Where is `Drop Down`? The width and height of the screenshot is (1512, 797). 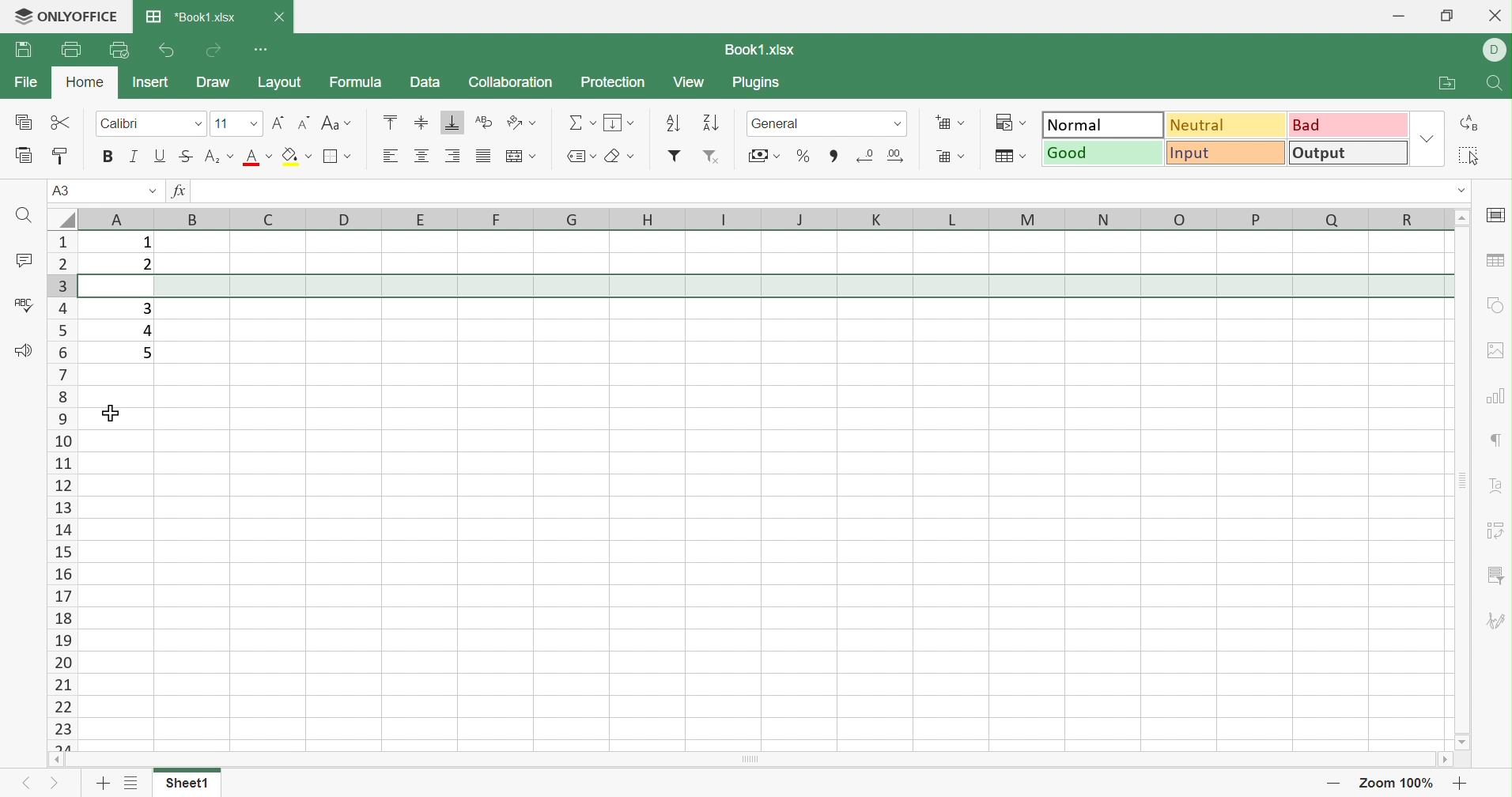 Drop Down is located at coordinates (1023, 155).